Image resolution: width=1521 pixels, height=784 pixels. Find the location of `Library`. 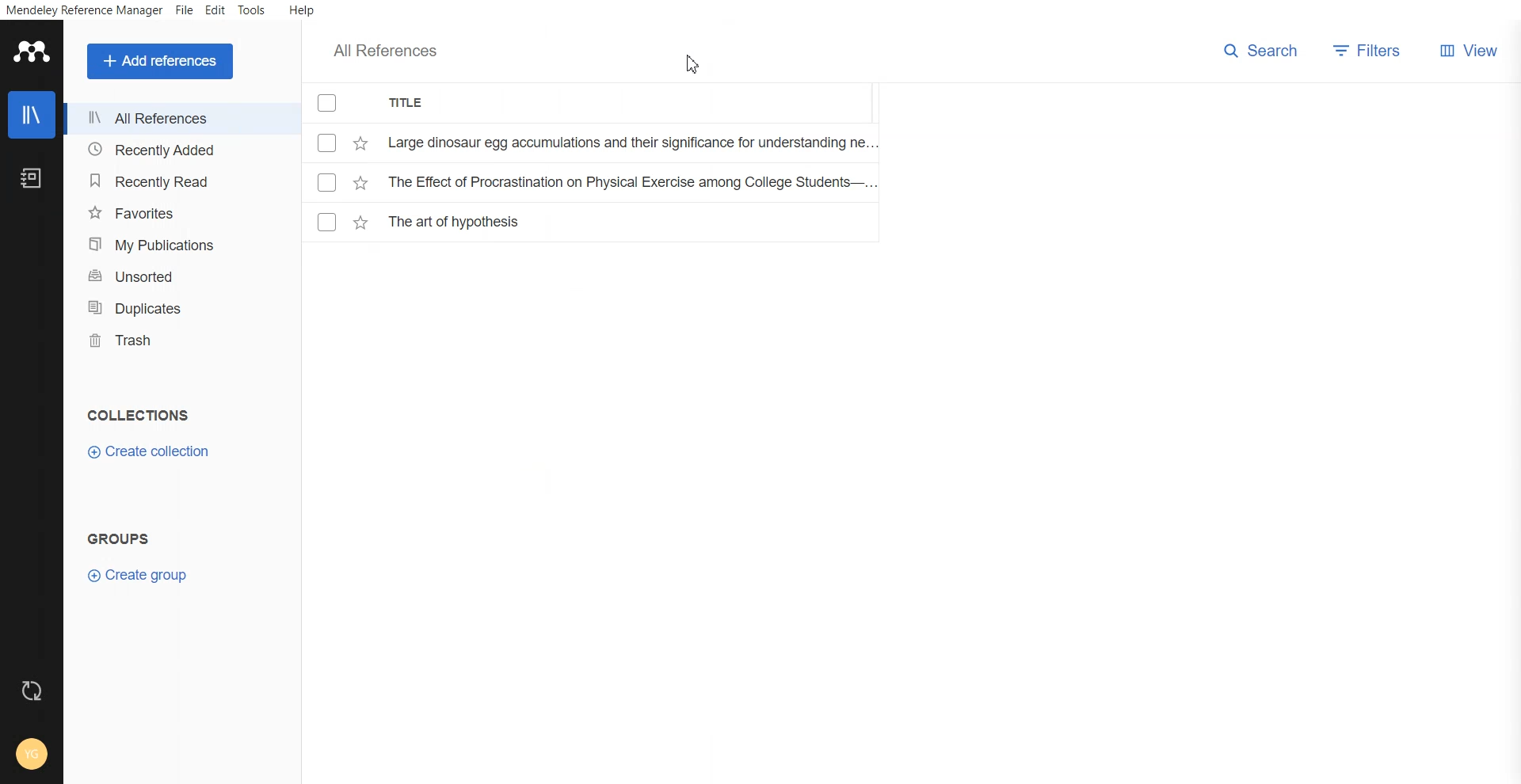

Library is located at coordinates (32, 114).